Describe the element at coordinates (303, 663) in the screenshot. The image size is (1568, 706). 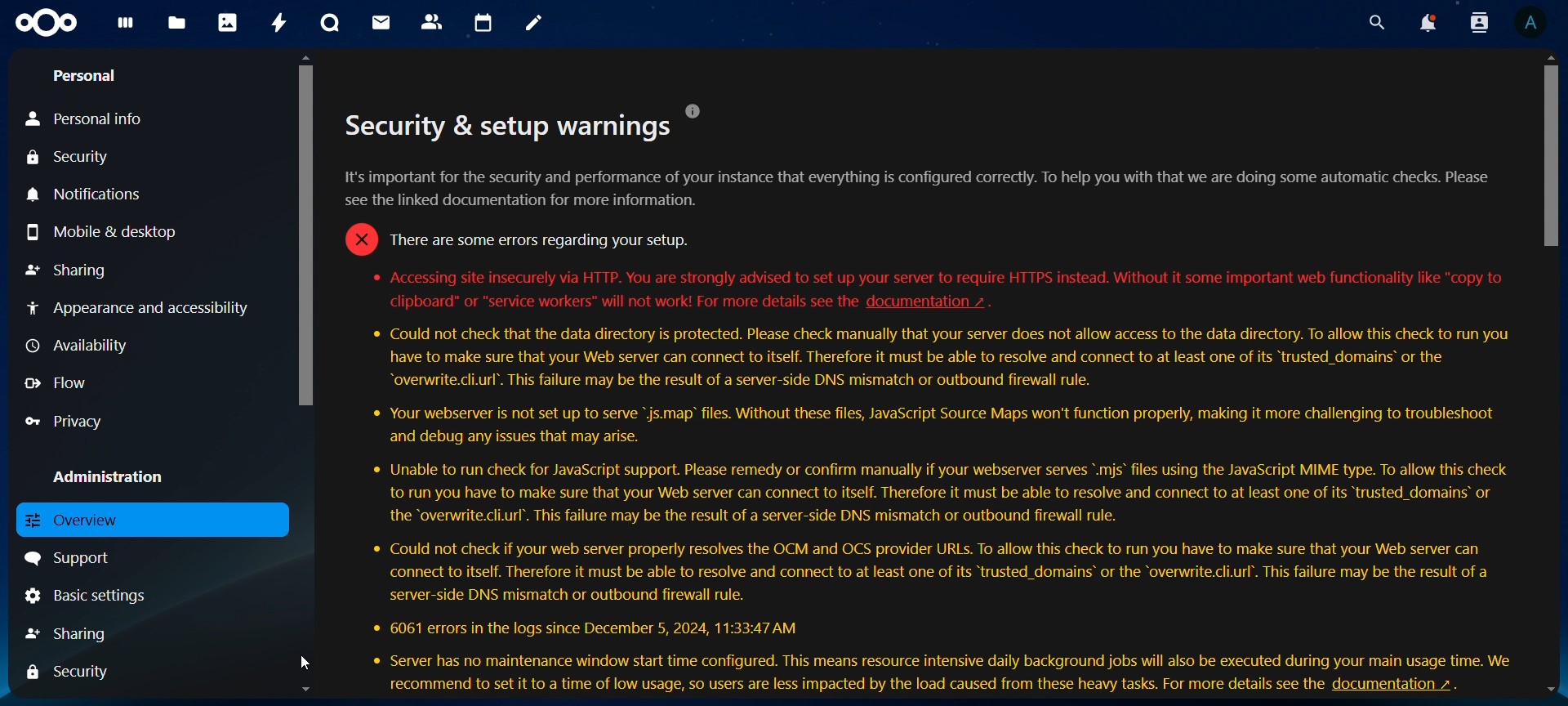
I see `cursor` at that location.